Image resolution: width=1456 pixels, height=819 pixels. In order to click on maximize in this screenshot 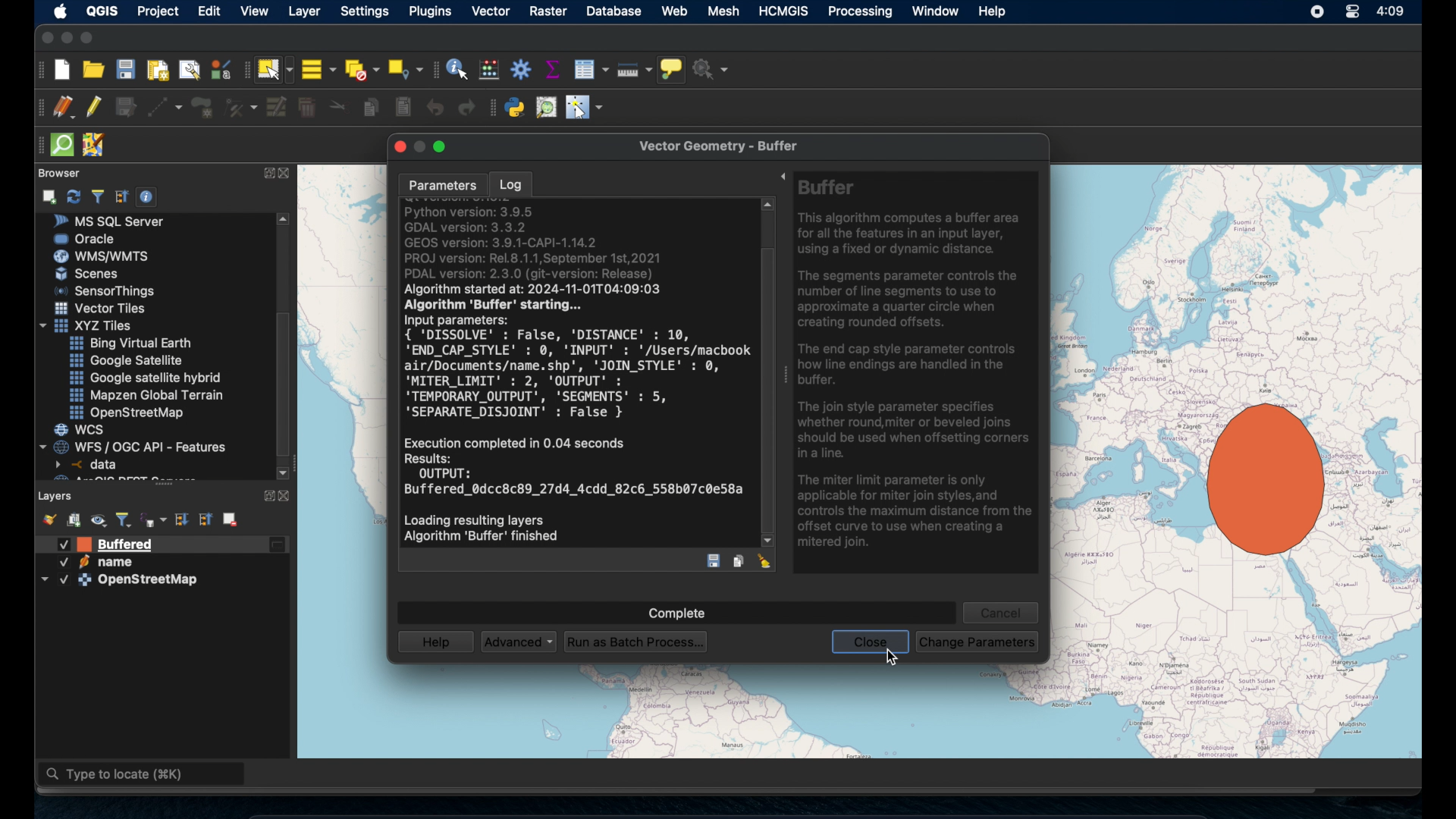, I will do `click(445, 146)`.